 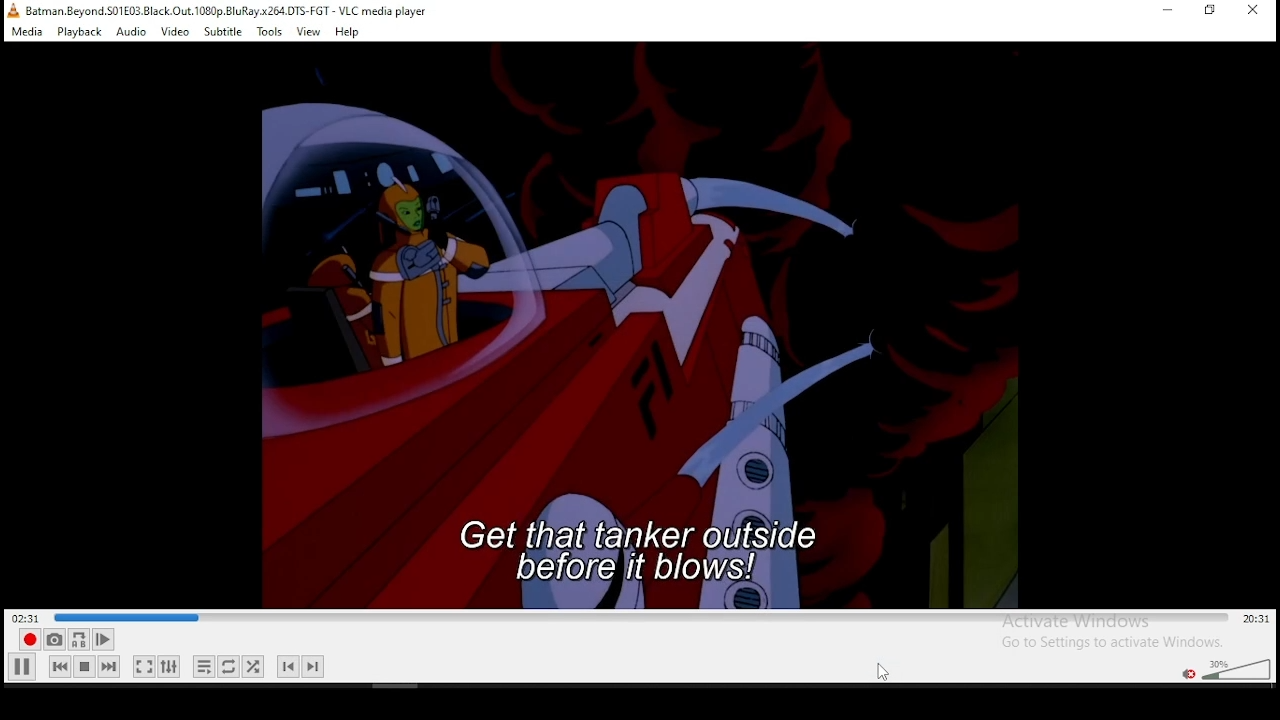 What do you see at coordinates (308, 32) in the screenshot?
I see `view` at bounding box center [308, 32].